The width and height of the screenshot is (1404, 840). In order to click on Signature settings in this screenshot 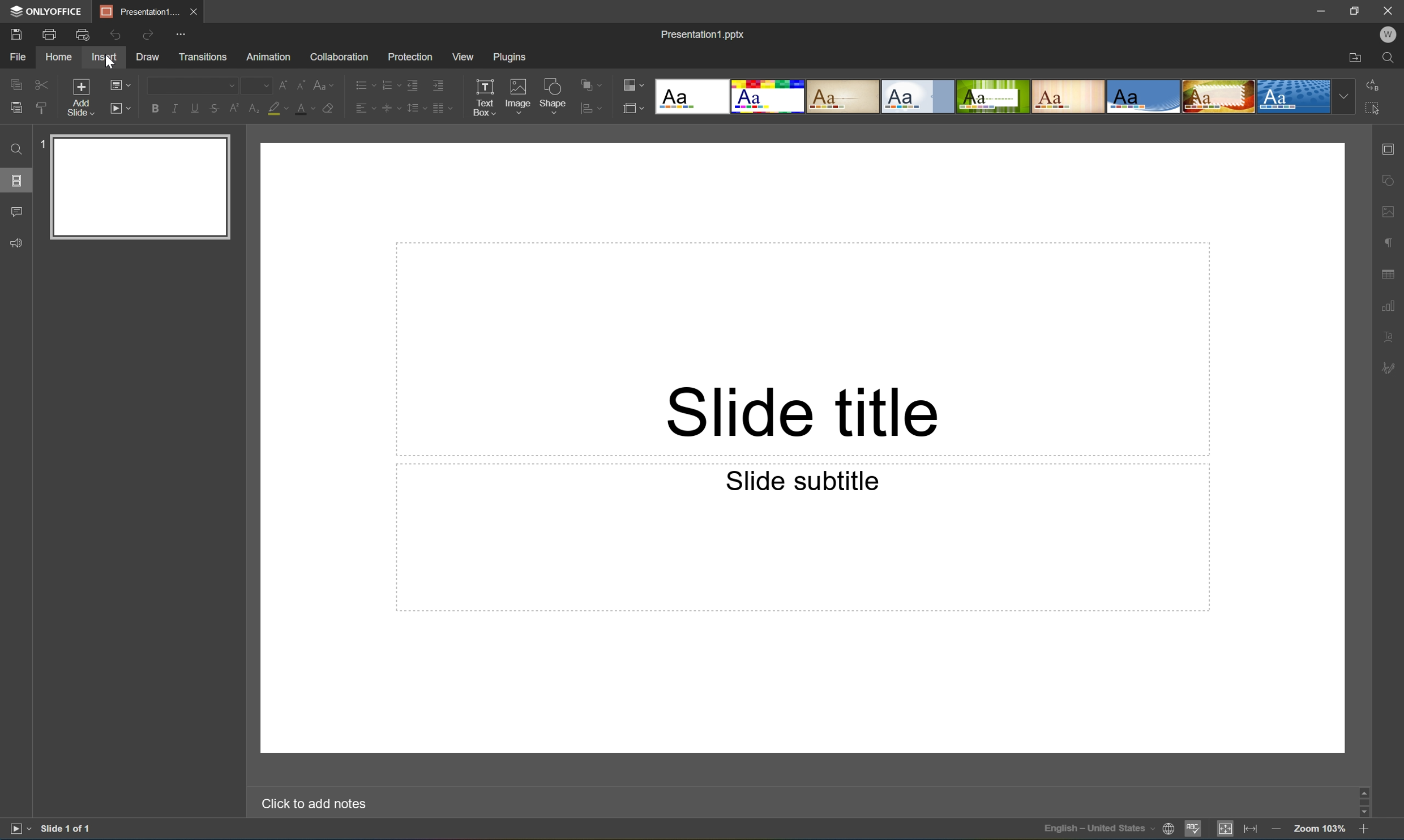, I will do `click(1391, 368)`.